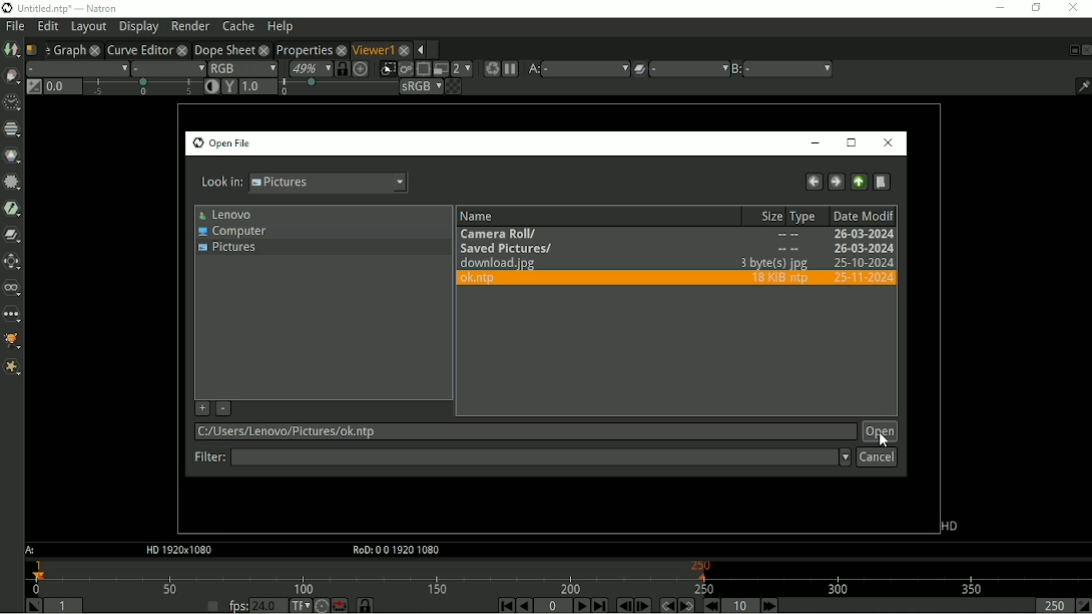 The height and width of the screenshot is (614, 1092). Describe the element at coordinates (510, 69) in the screenshot. I see `Pause updates` at that location.